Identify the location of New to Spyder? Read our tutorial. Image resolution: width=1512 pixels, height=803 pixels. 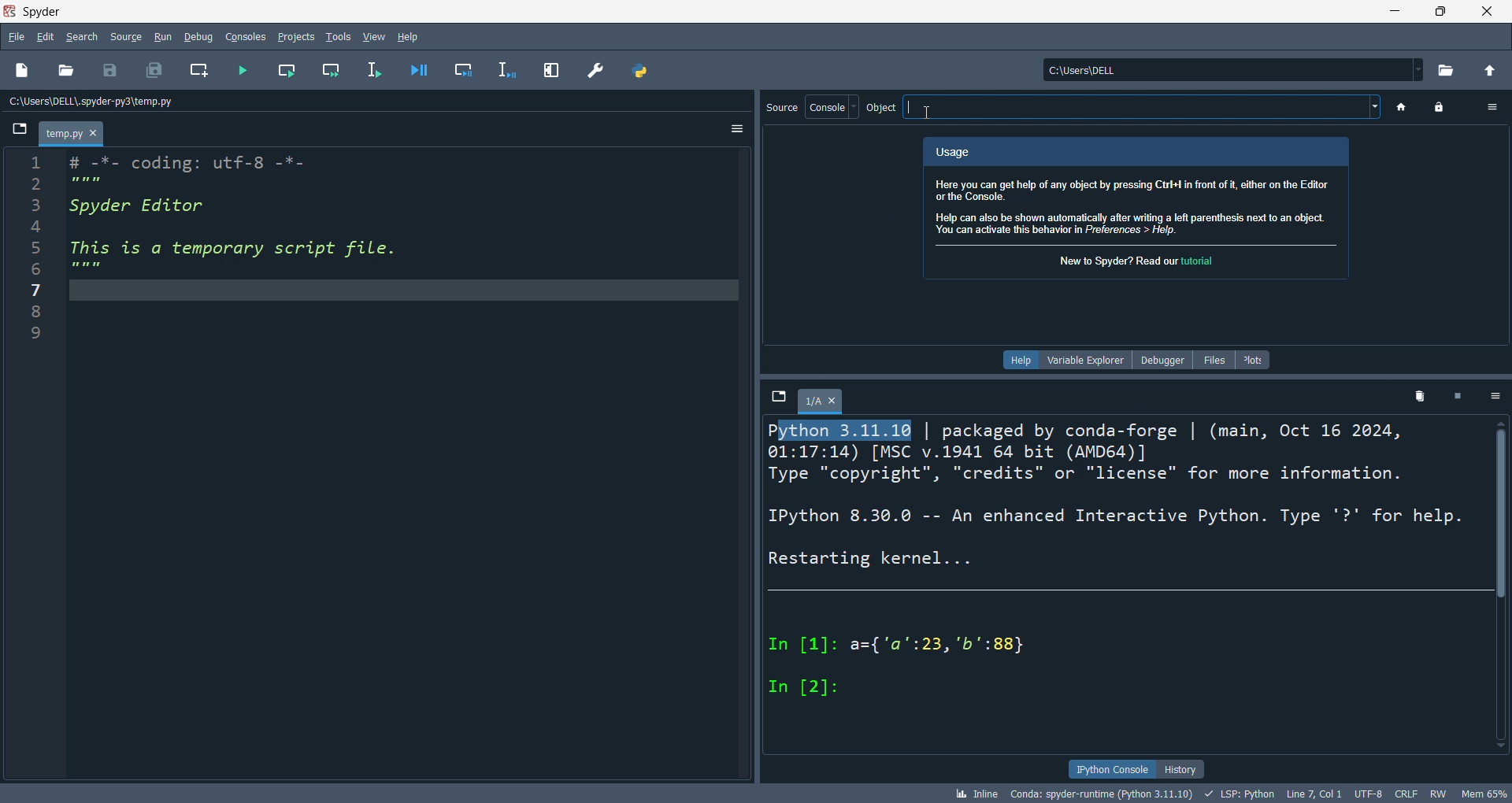
(1136, 261).